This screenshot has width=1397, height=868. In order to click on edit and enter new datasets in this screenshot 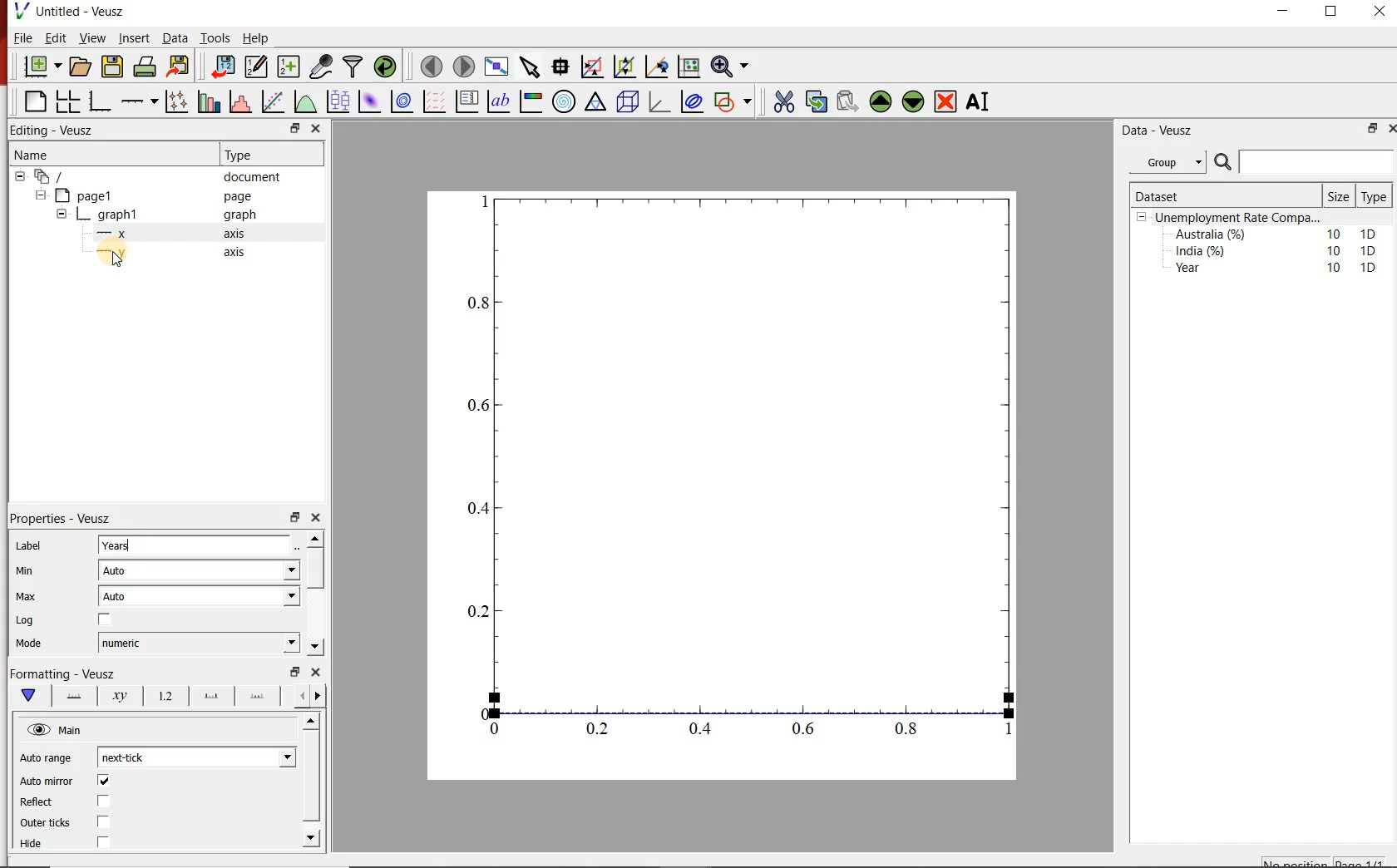, I will do `click(258, 65)`.